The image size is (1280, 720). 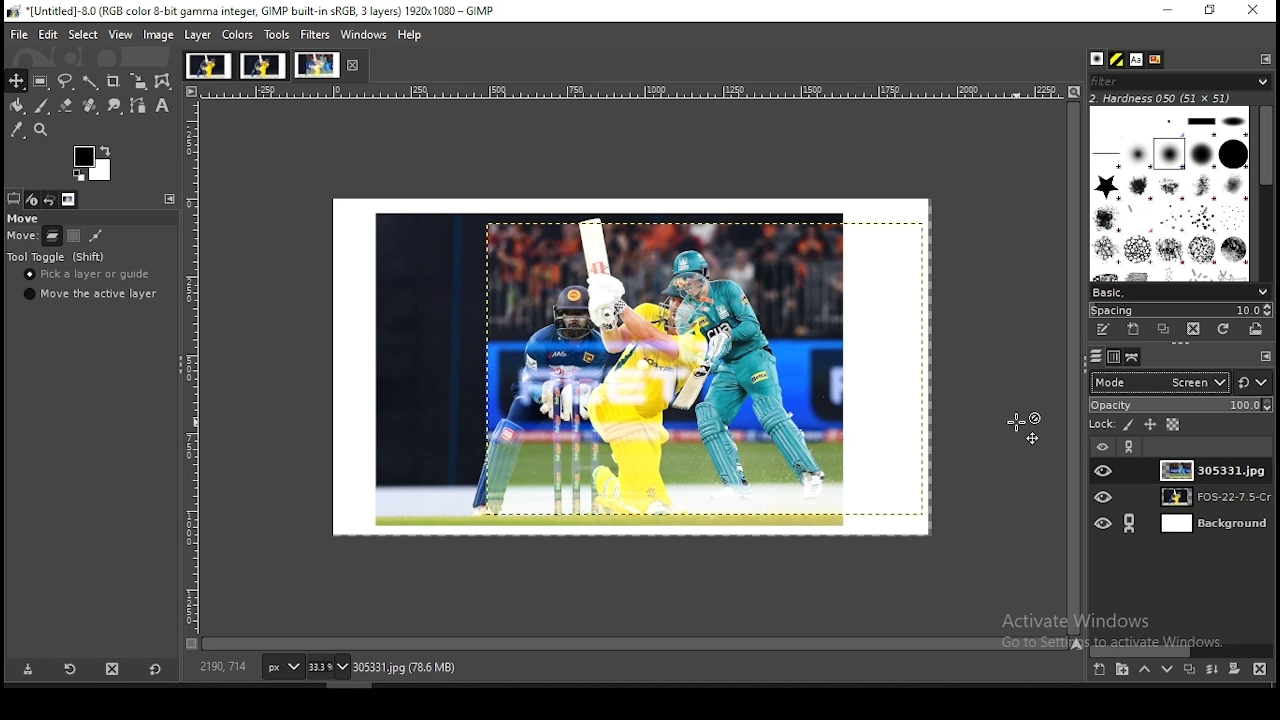 What do you see at coordinates (1208, 497) in the screenshot?
I see `layer` at bounding box center [1208, 497].